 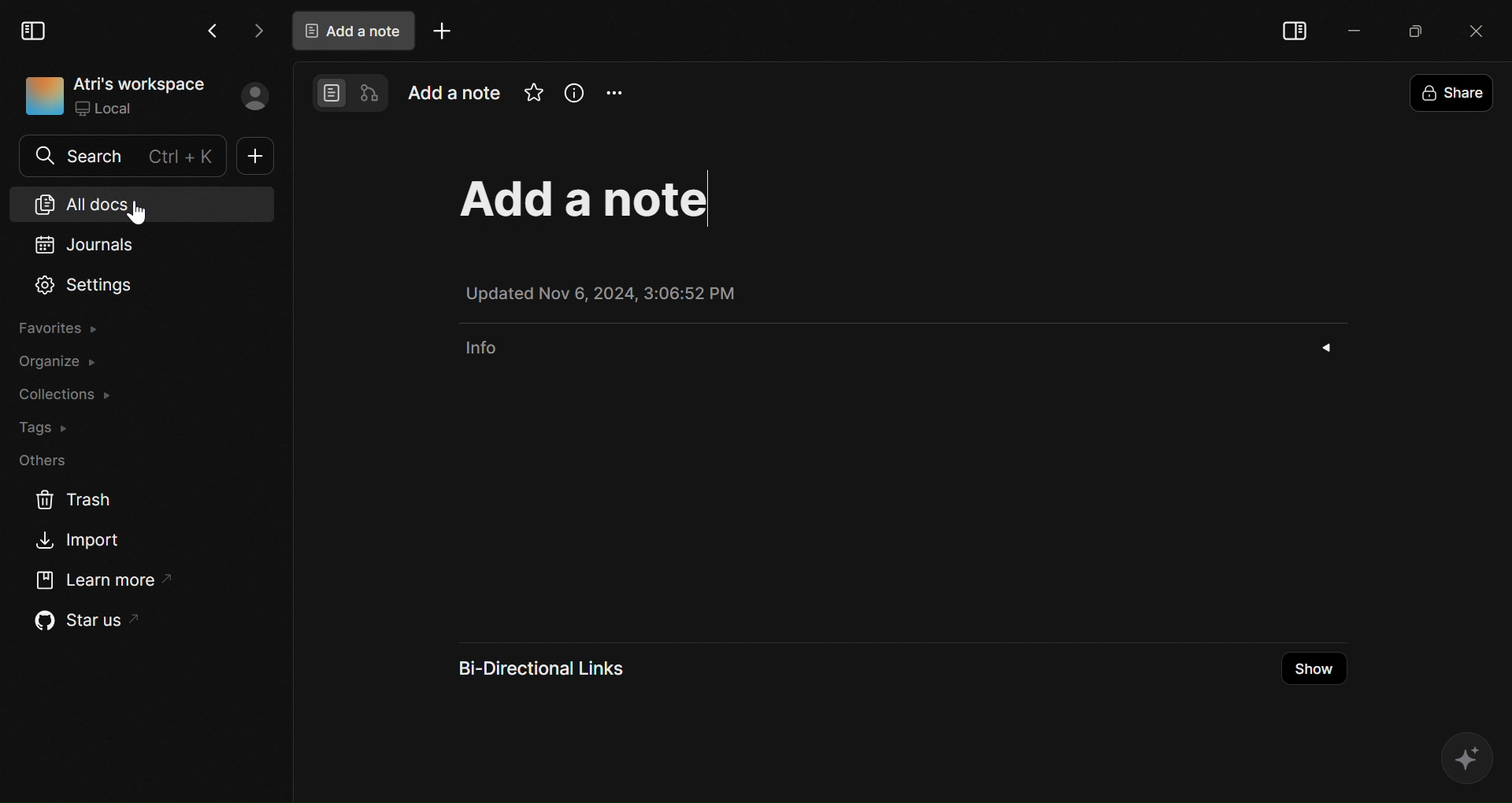 What do you see at coordinates (1410, 33) in the screenshot?
I see `Maximize` at bounding box center [1410, 33].